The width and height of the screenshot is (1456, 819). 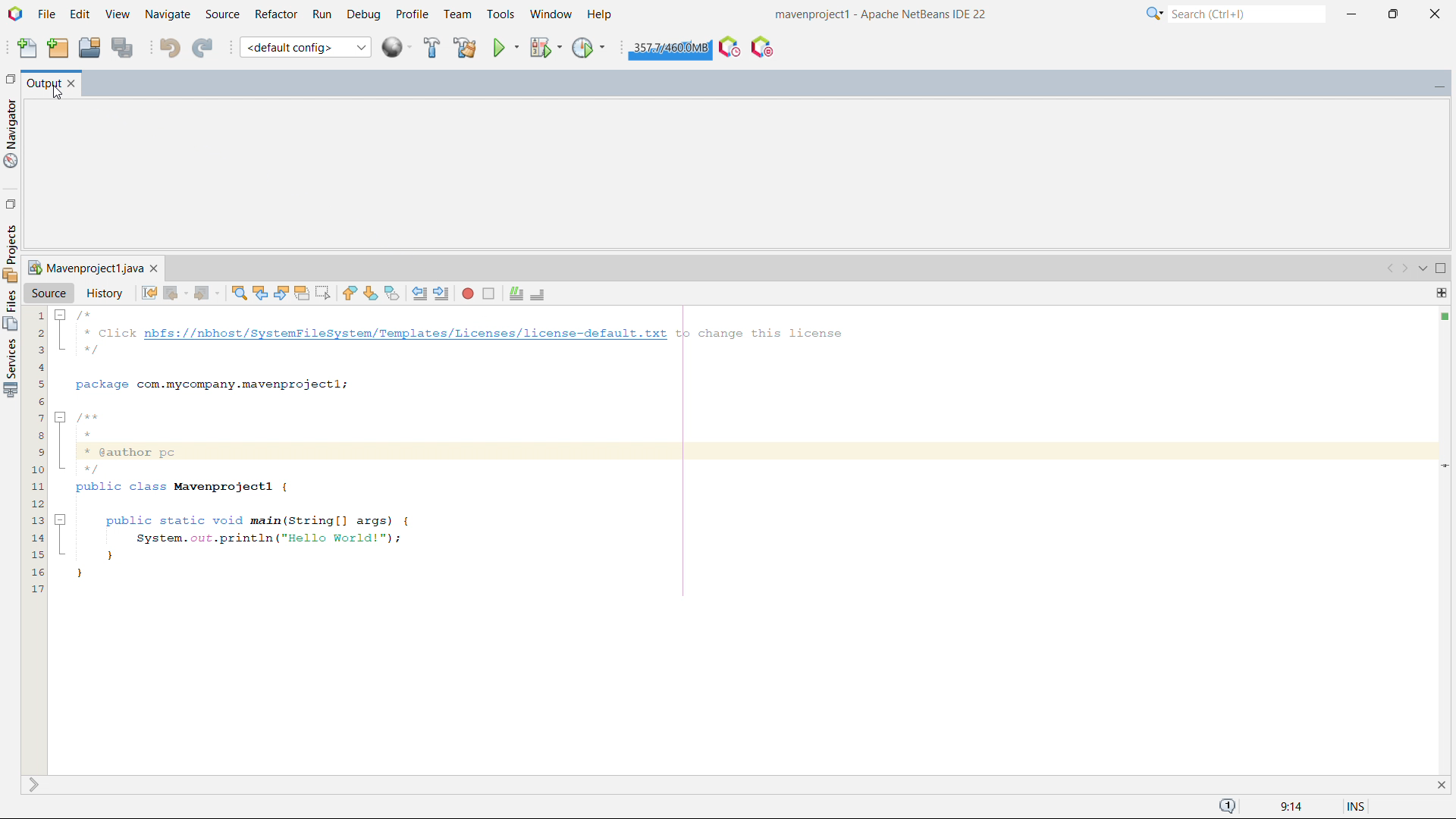 What do you see at coordinates (1391, 269) in the screenshot?
I see `scroll left` at bounding box center [1391, 269].